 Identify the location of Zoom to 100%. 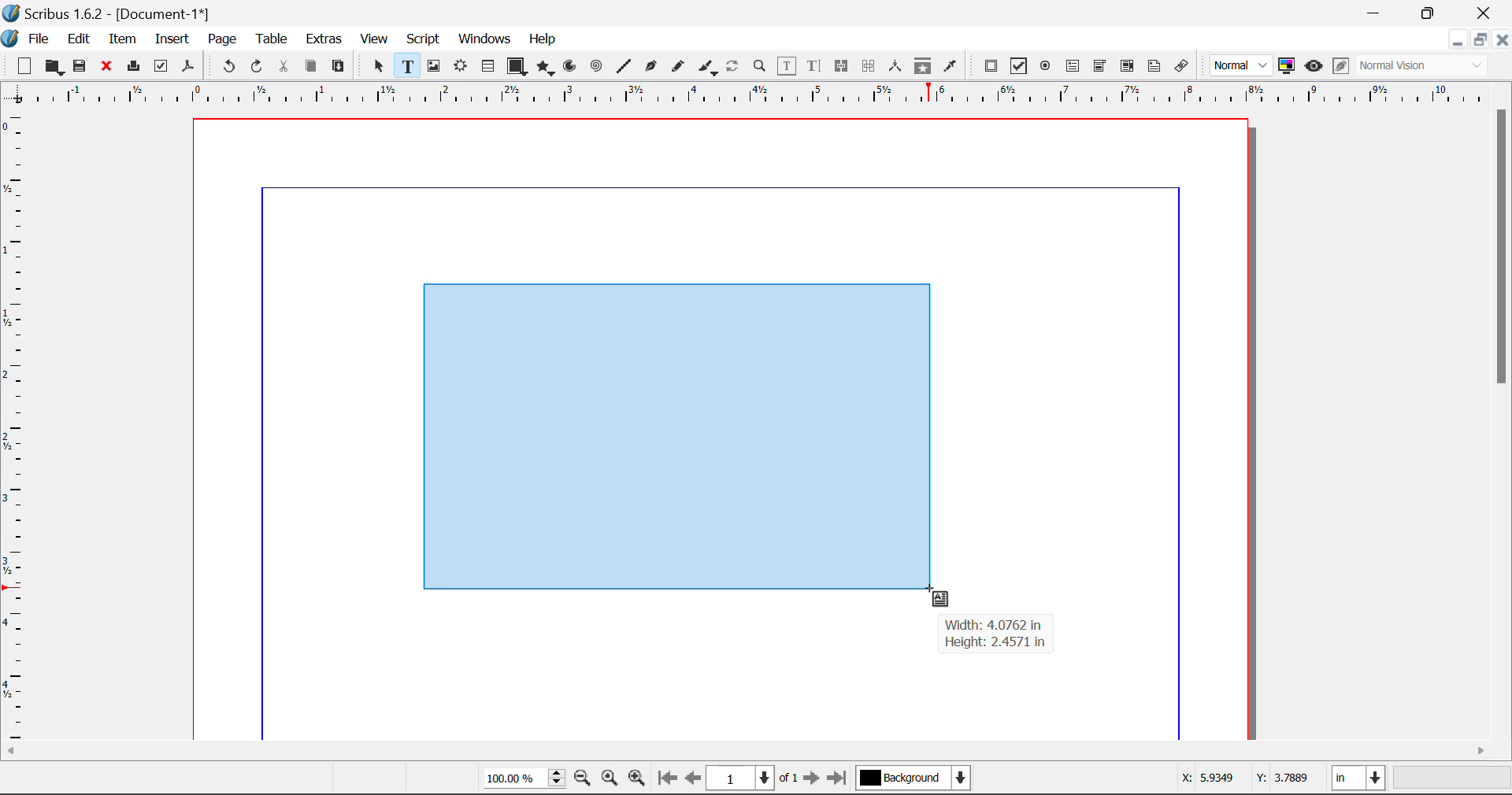
(610, 780).